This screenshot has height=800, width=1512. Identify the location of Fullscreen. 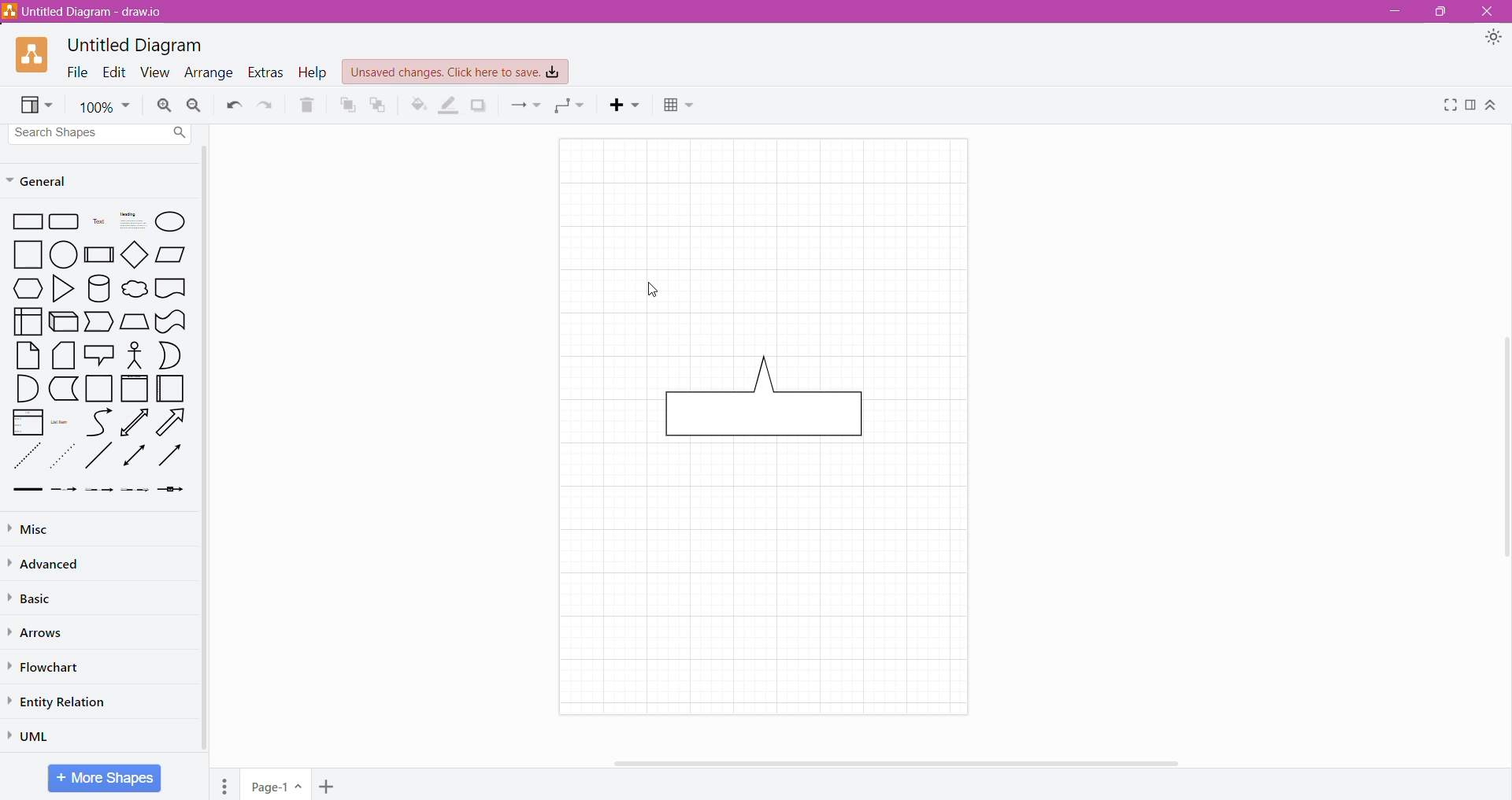
(1448, 105).